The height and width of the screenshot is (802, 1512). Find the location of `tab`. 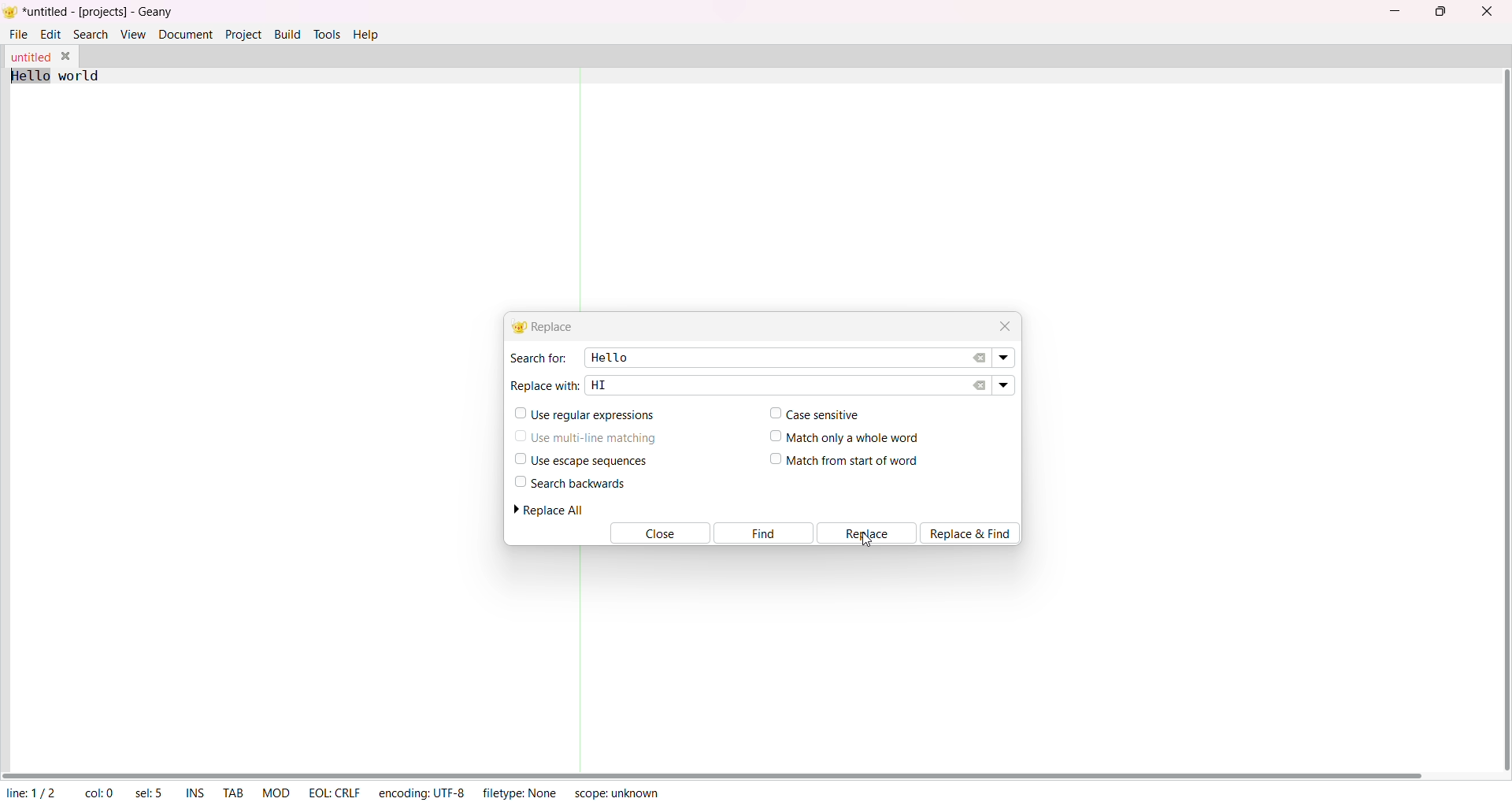

tab is located at coordinates (234, 794).